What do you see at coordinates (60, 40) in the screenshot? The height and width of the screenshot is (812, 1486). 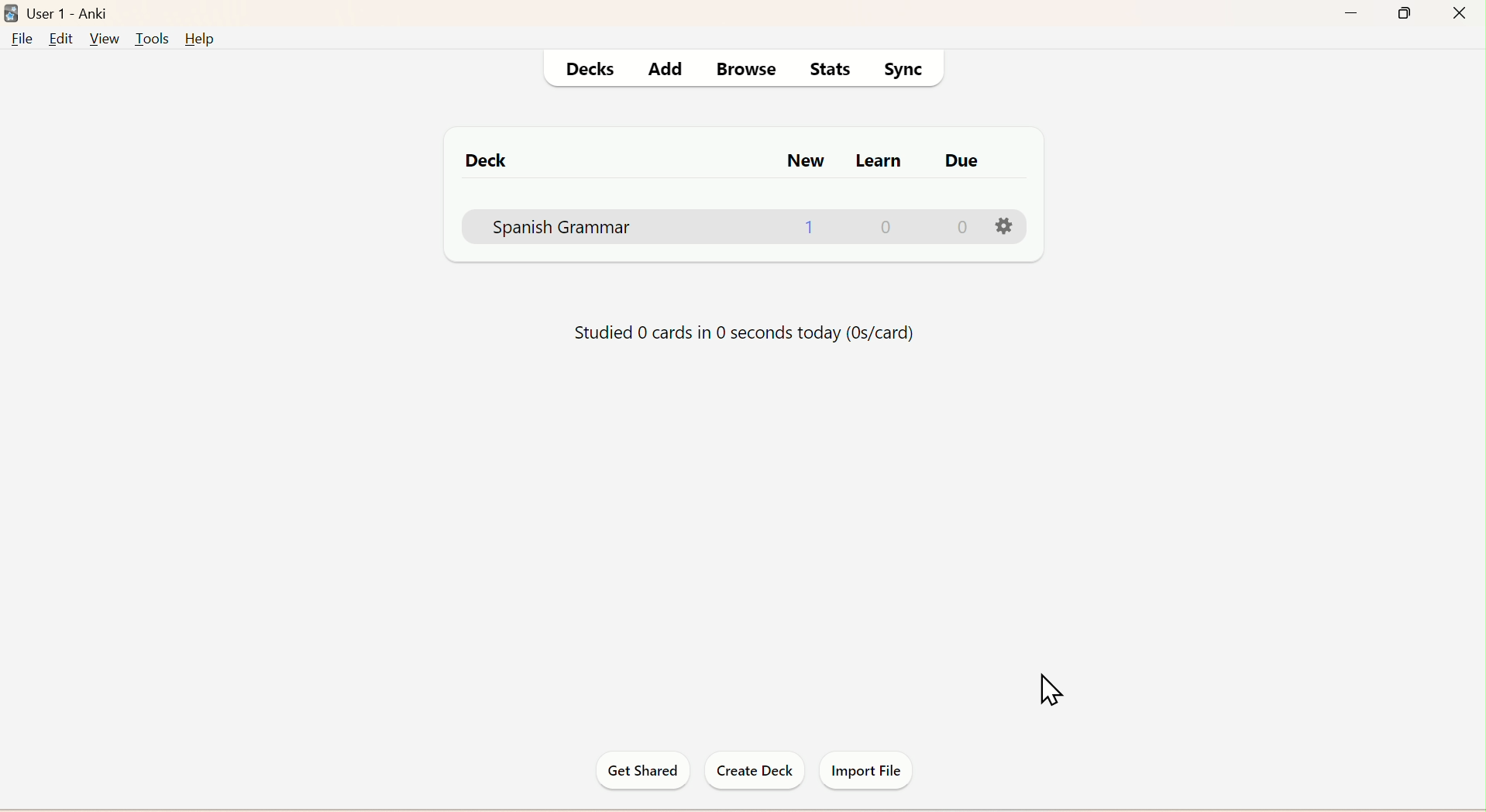 I see `Edit` at bounding box center [60, 40].